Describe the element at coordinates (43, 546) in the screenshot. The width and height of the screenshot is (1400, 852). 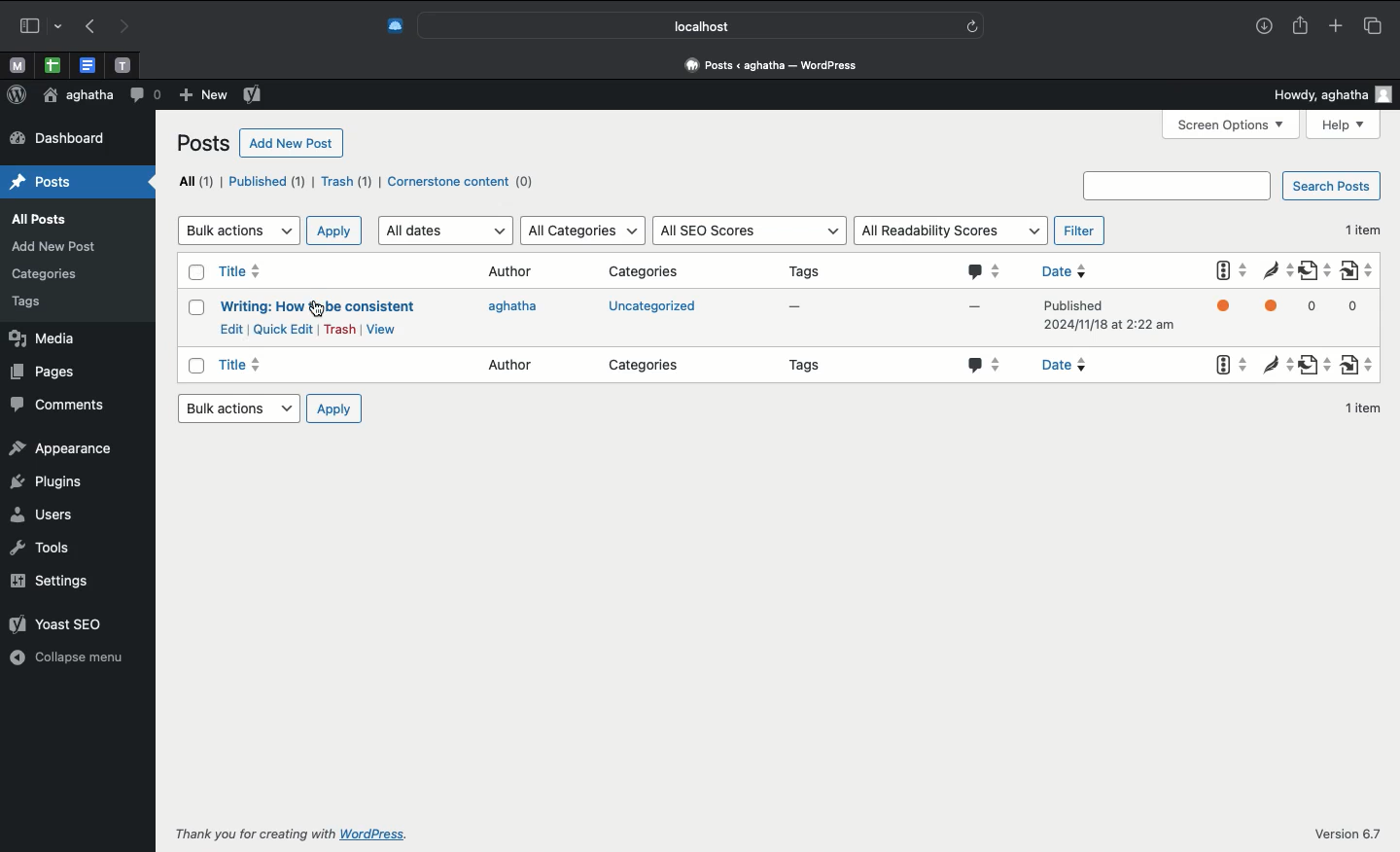
I see `Tools` at that location.